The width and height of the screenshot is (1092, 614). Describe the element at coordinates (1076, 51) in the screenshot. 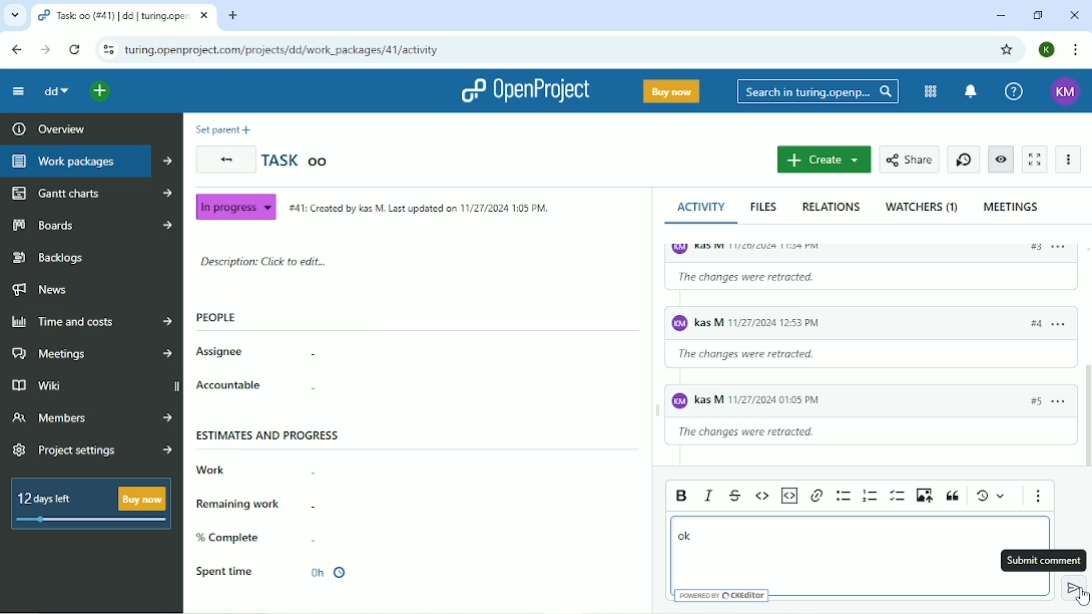

I see `Customize and control google chrome` at that location.